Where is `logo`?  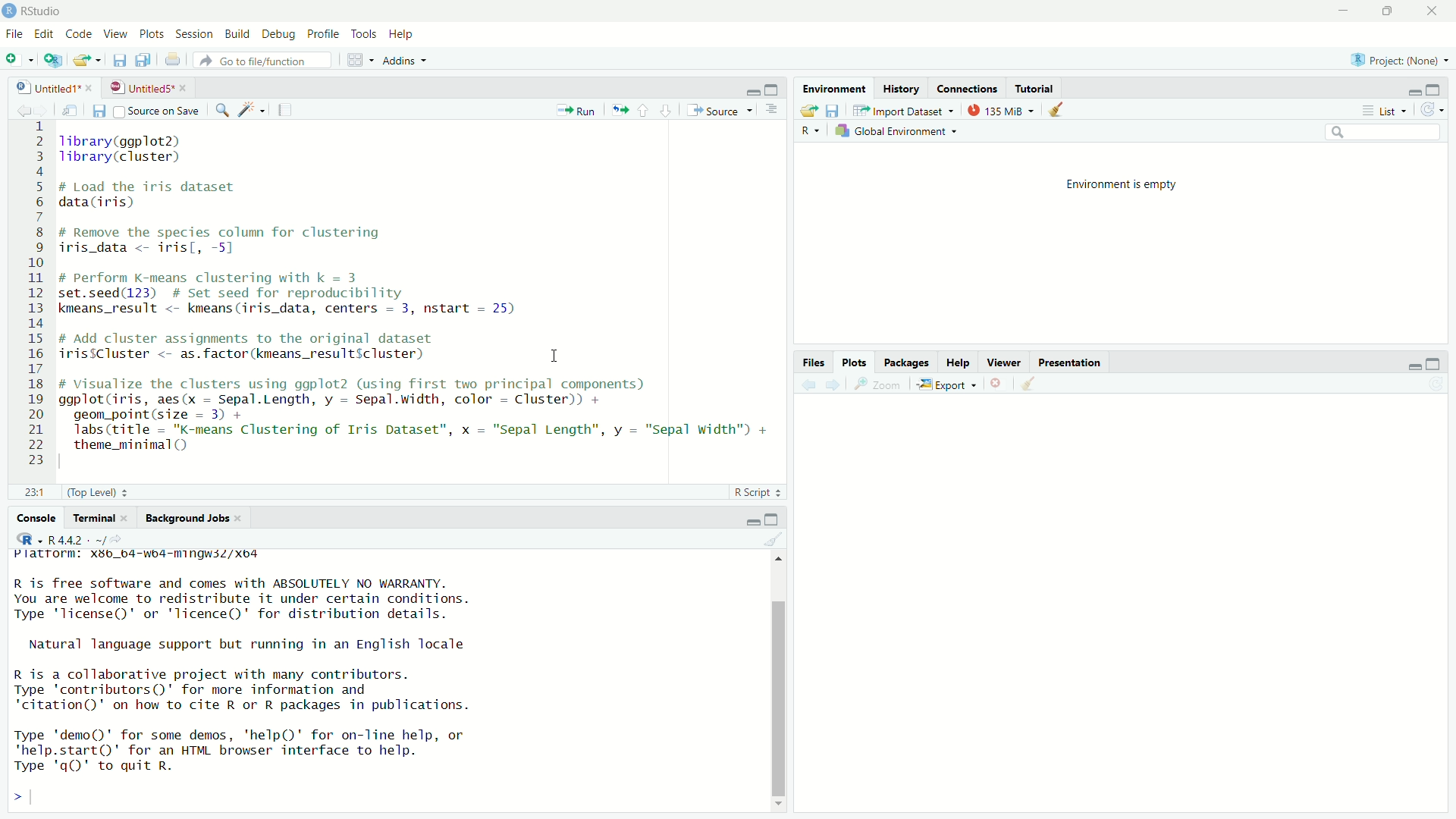 logo is located at coordinates (9, 9).